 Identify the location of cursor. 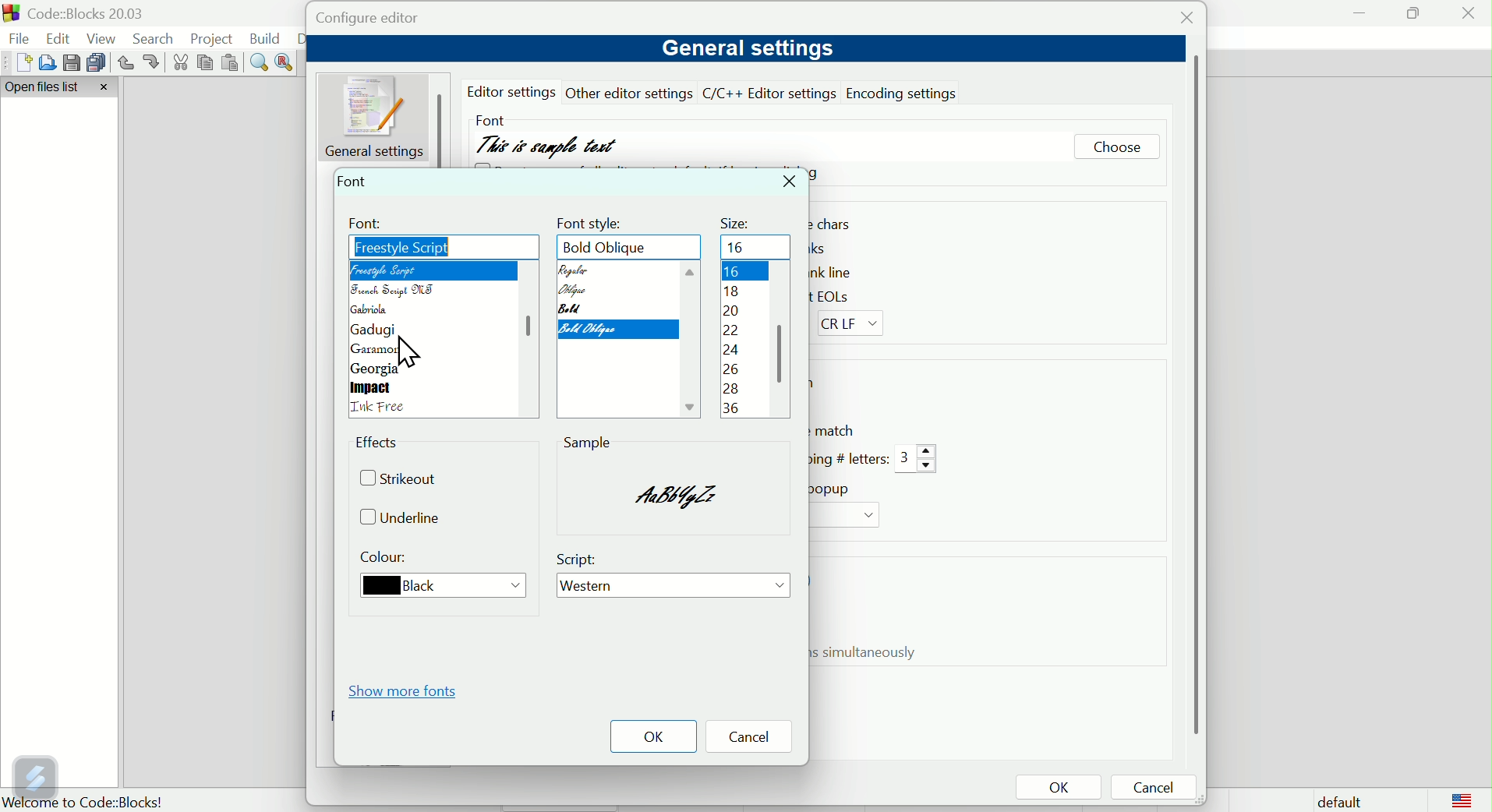
(409, 355).